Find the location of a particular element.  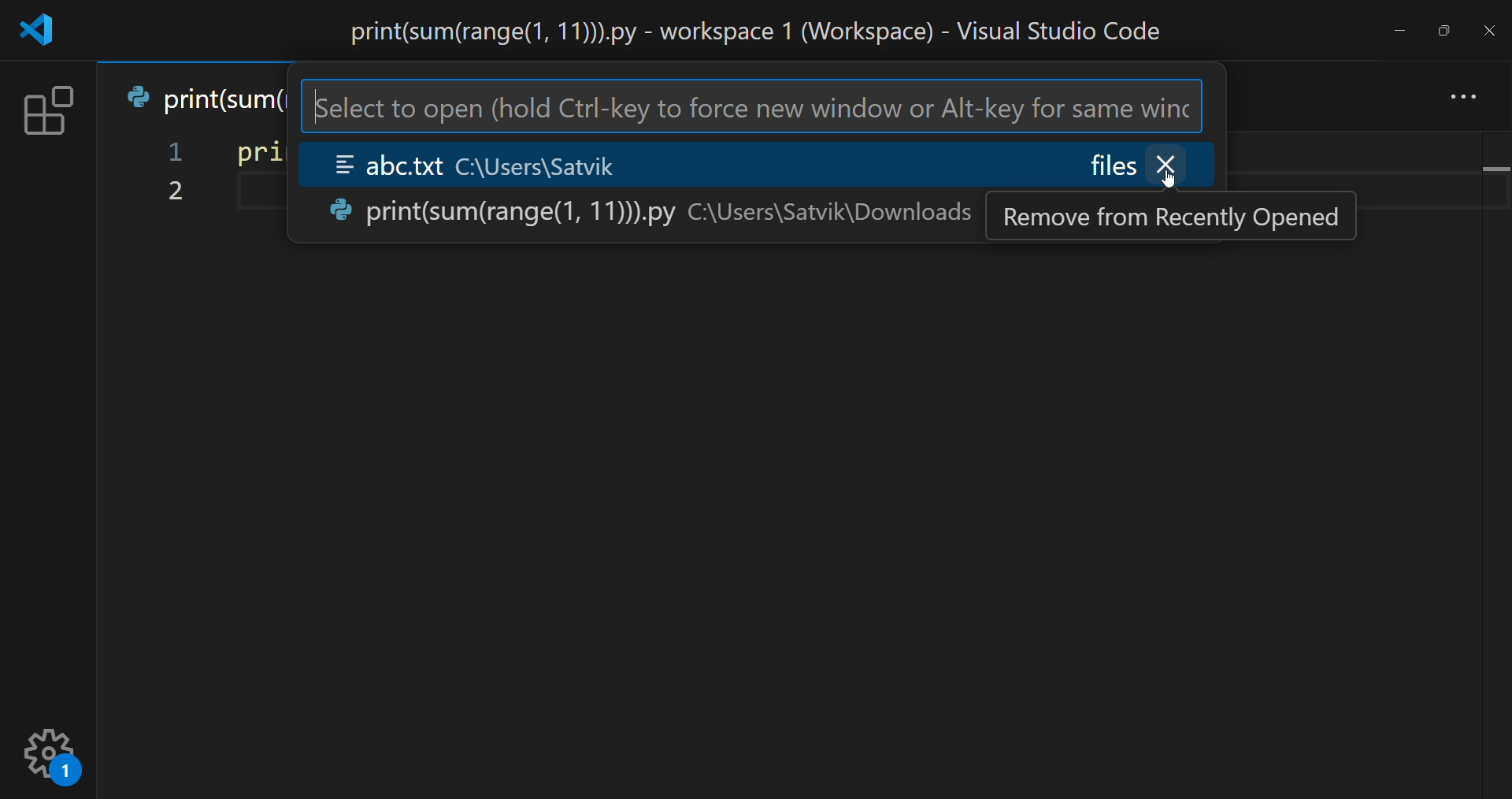

close is located at coordinates (1488, 29).